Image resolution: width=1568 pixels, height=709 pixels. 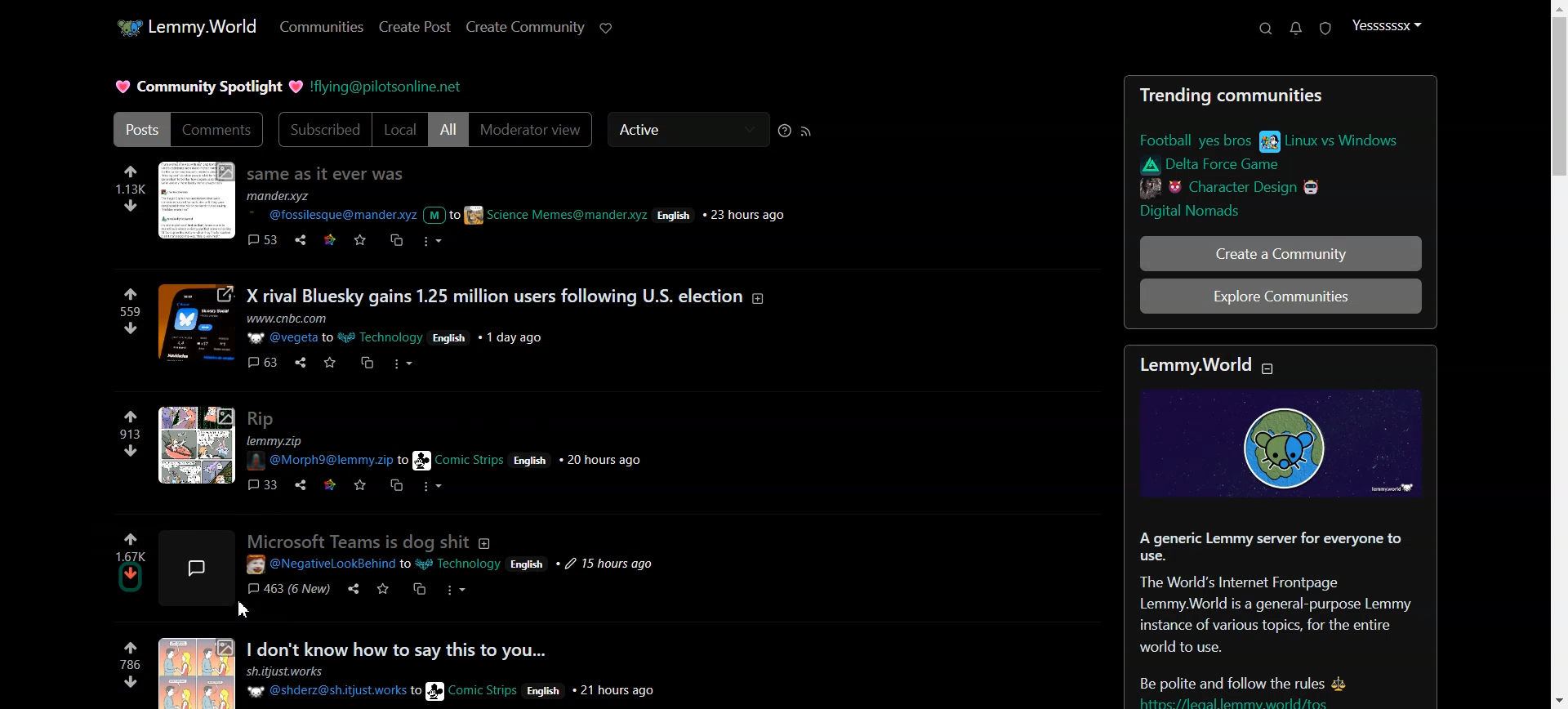 What do you see at coordinates (219, 129) in the screenshot?
I see `Comments` at bounding box center [219, 129].